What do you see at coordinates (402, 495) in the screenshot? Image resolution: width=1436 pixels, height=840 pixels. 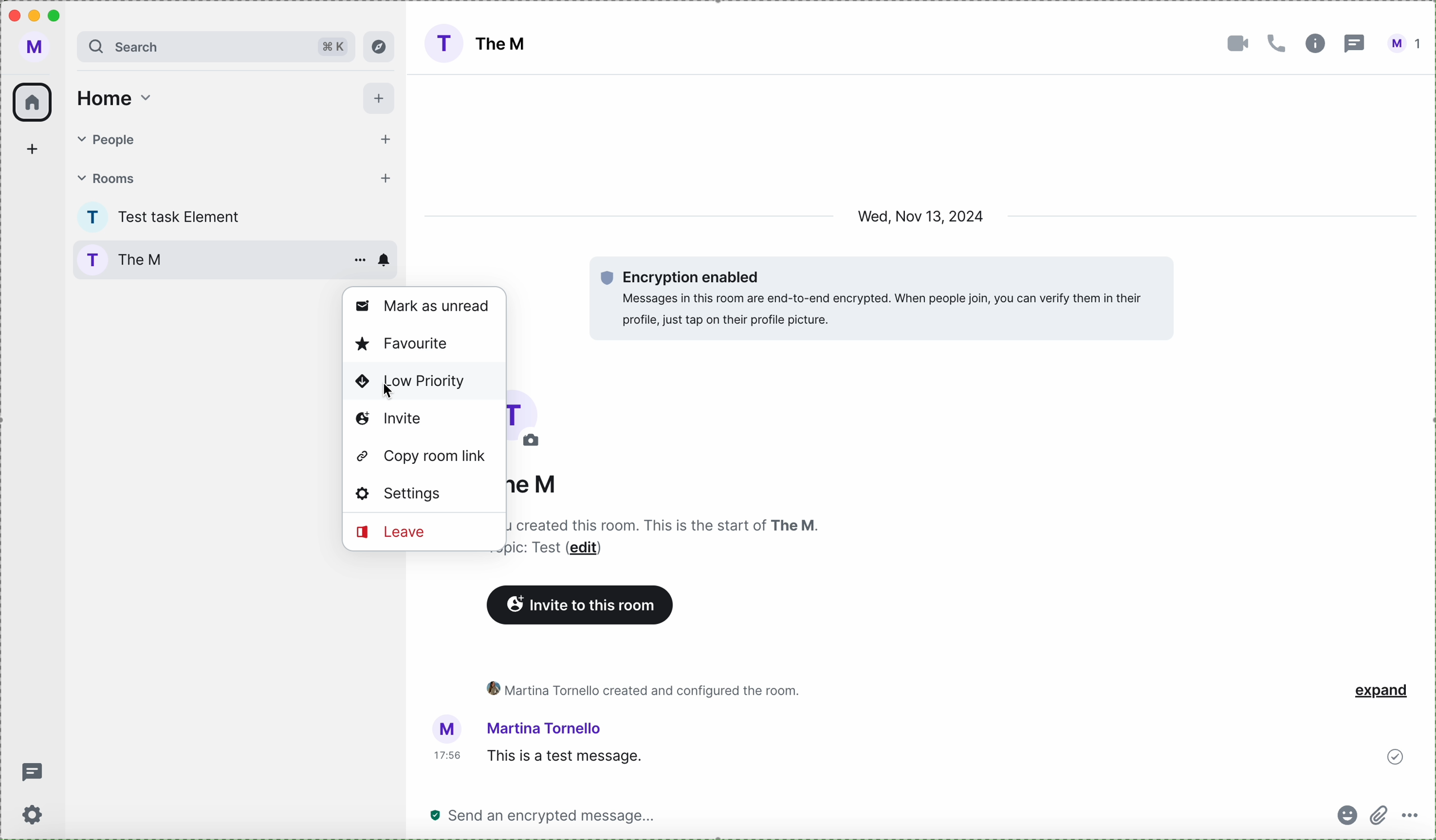 I see `settings` at bounding box center [402, 495].